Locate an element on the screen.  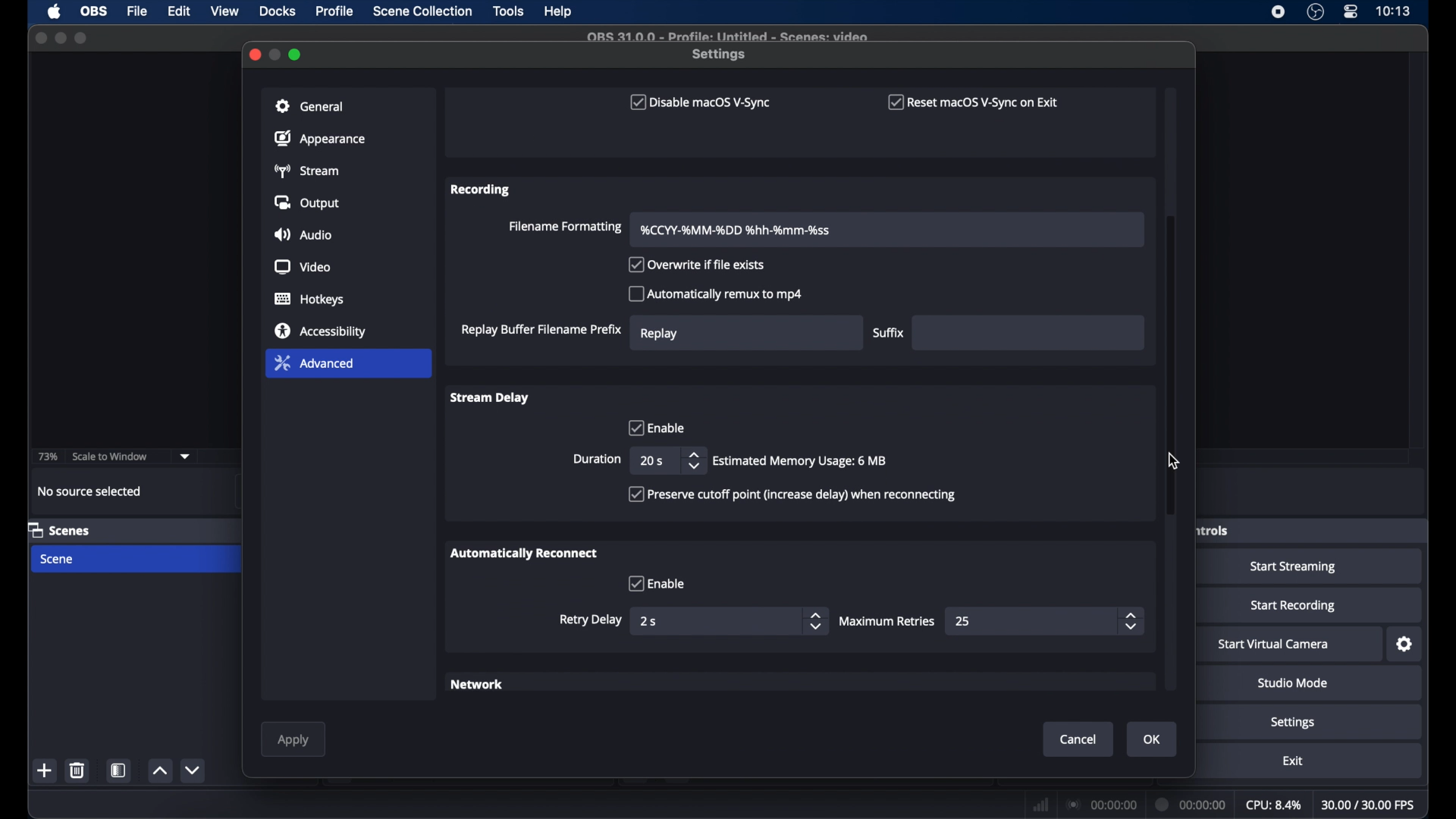
cursor is located at coordinates (1174, 461).